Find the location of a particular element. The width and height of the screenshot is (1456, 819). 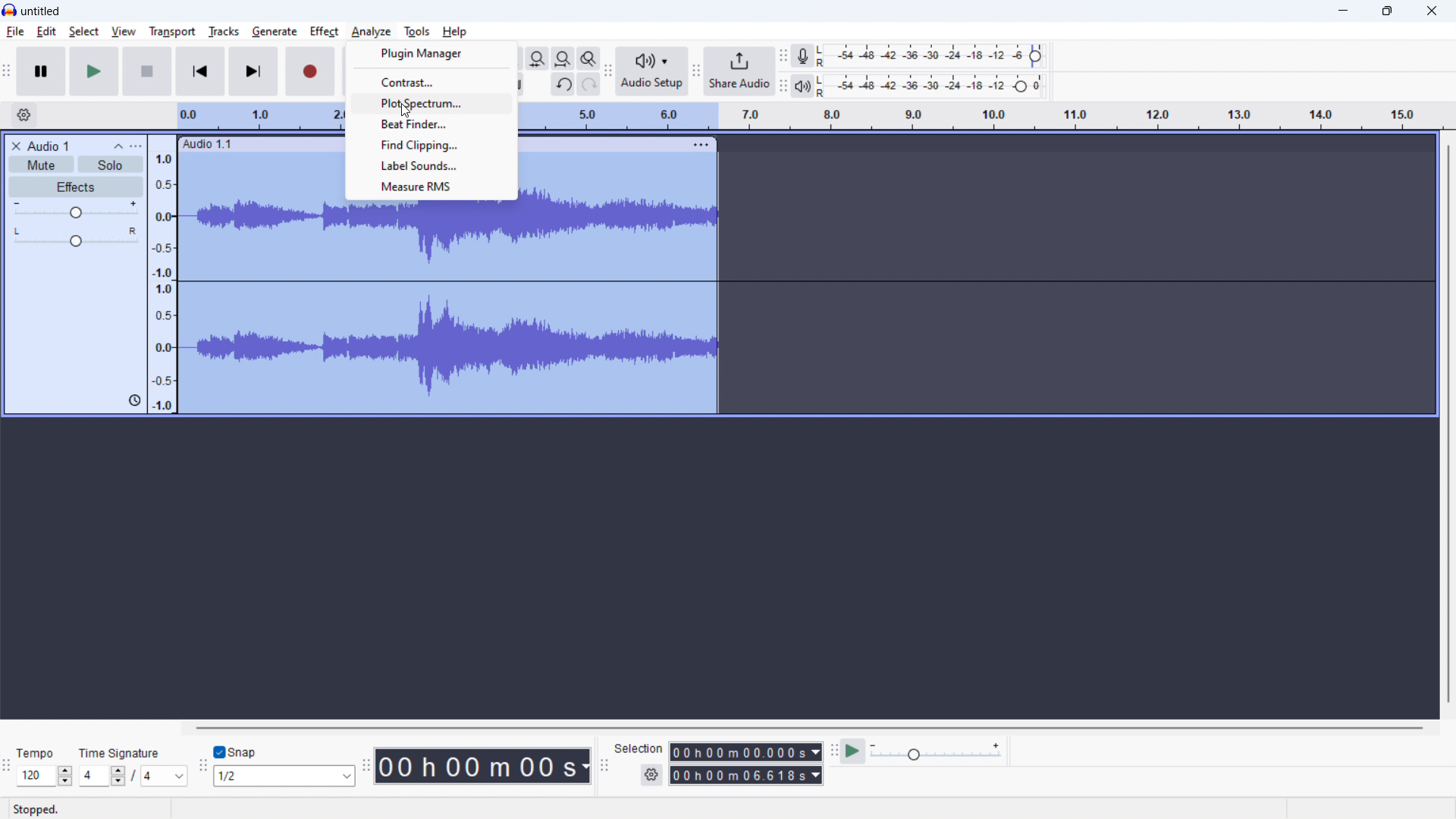

fit project to width is located at coordinates (563, 58).